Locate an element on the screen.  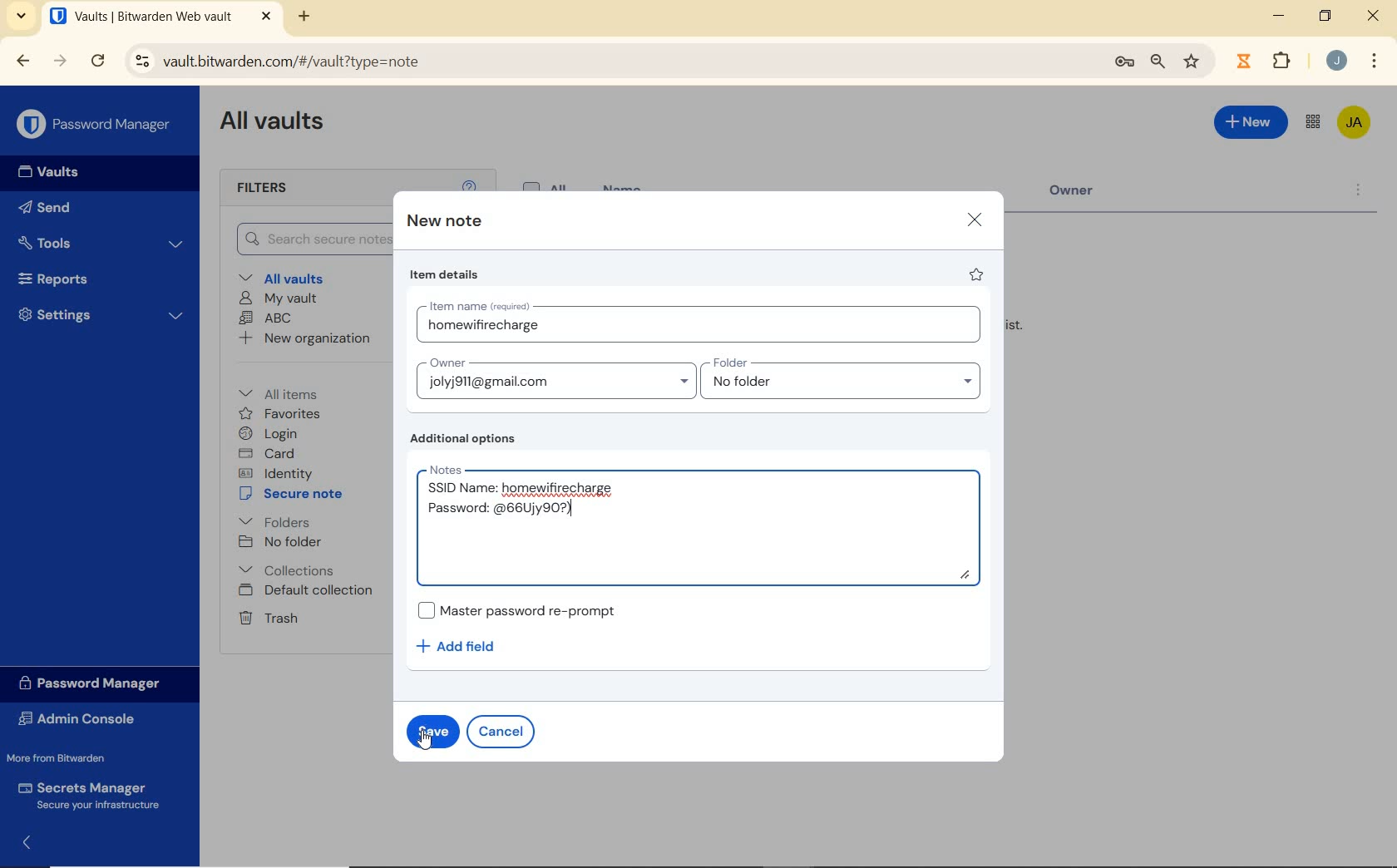
item details is located at coordinates (447, 274).